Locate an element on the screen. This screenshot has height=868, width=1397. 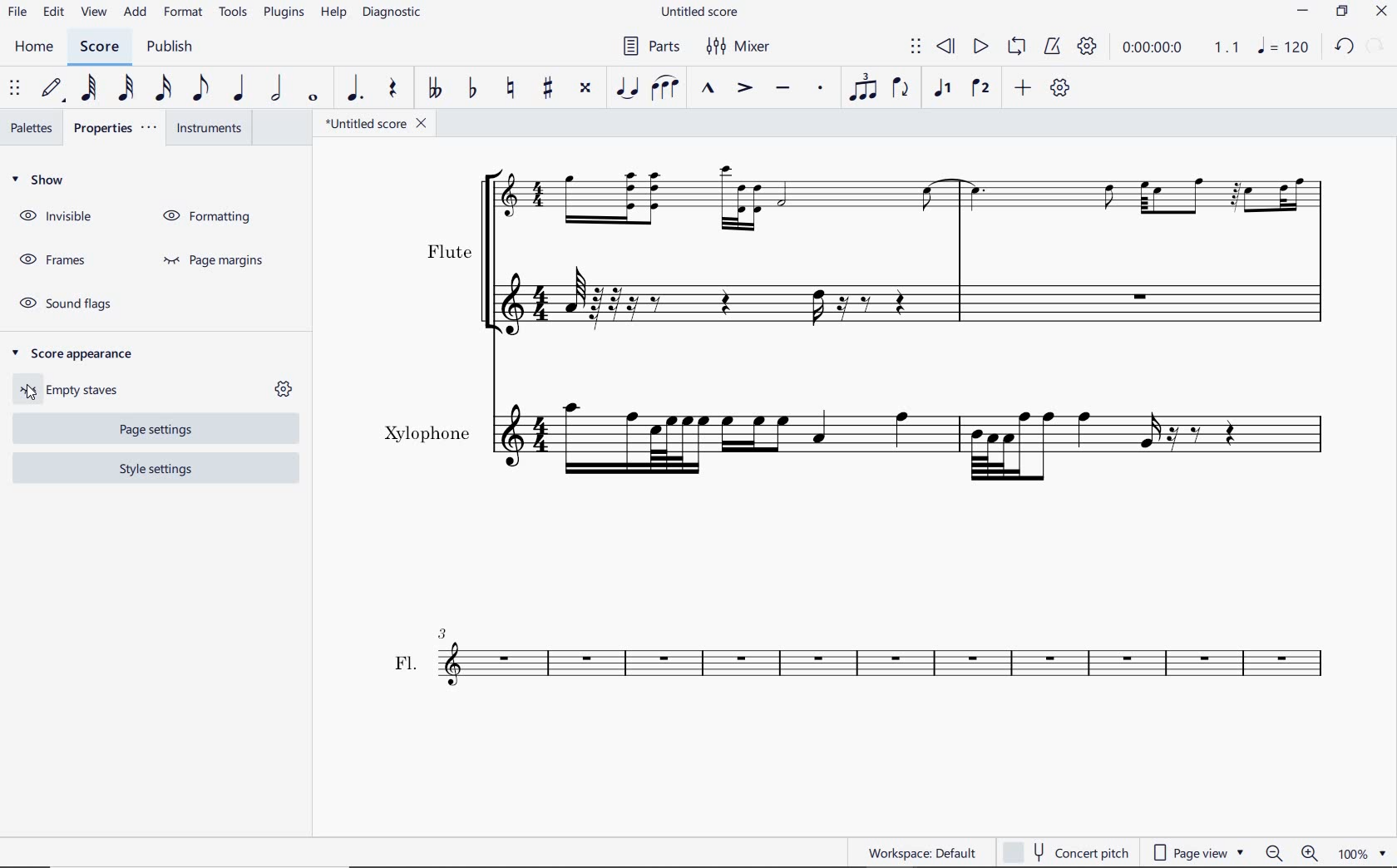
FORMAT is located at coordinates (182, 13).